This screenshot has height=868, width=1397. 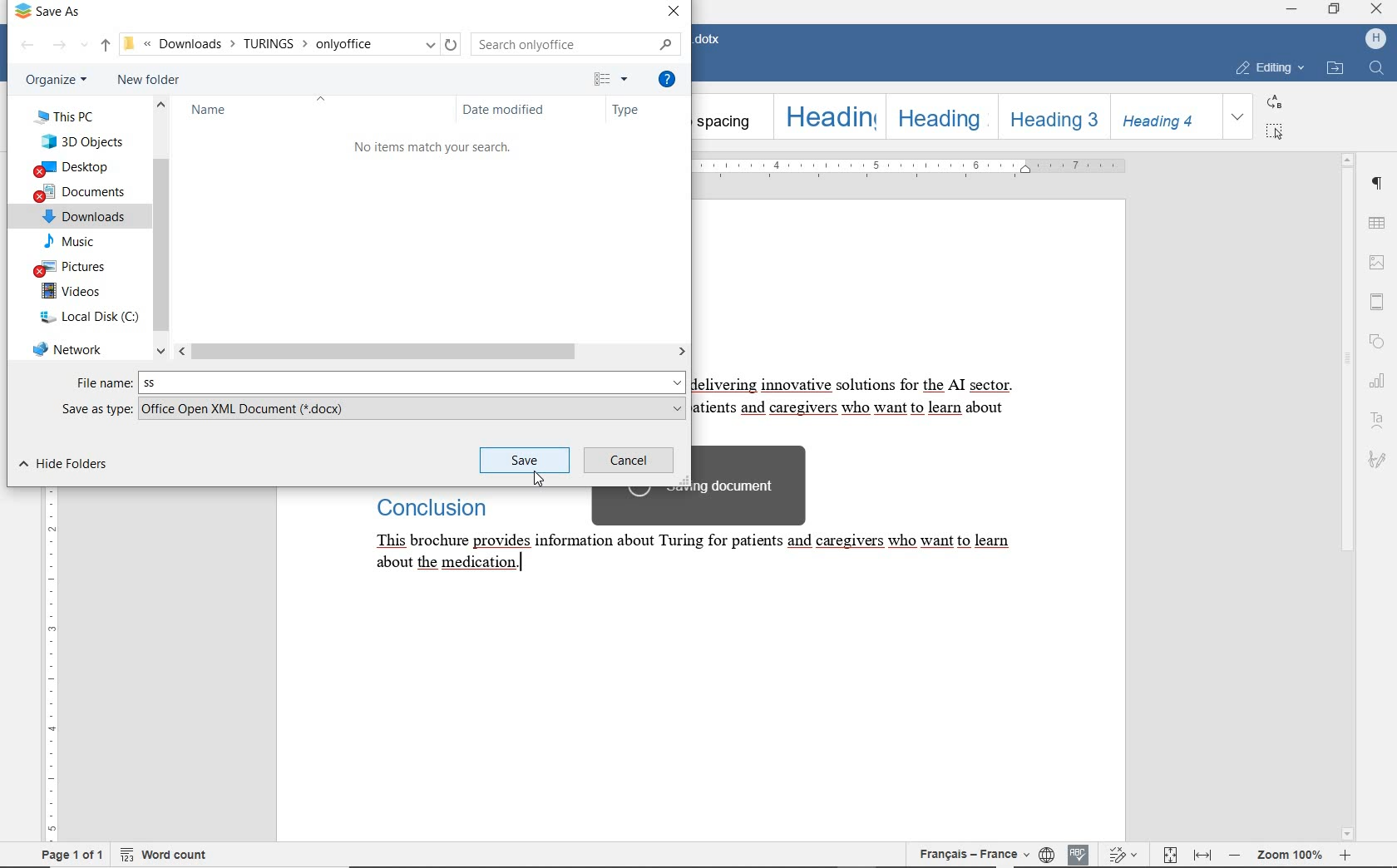 What do you see at coordinates (1376, 70) in the screenshot?
I see `FIND` at bounding box center [1376, 70].